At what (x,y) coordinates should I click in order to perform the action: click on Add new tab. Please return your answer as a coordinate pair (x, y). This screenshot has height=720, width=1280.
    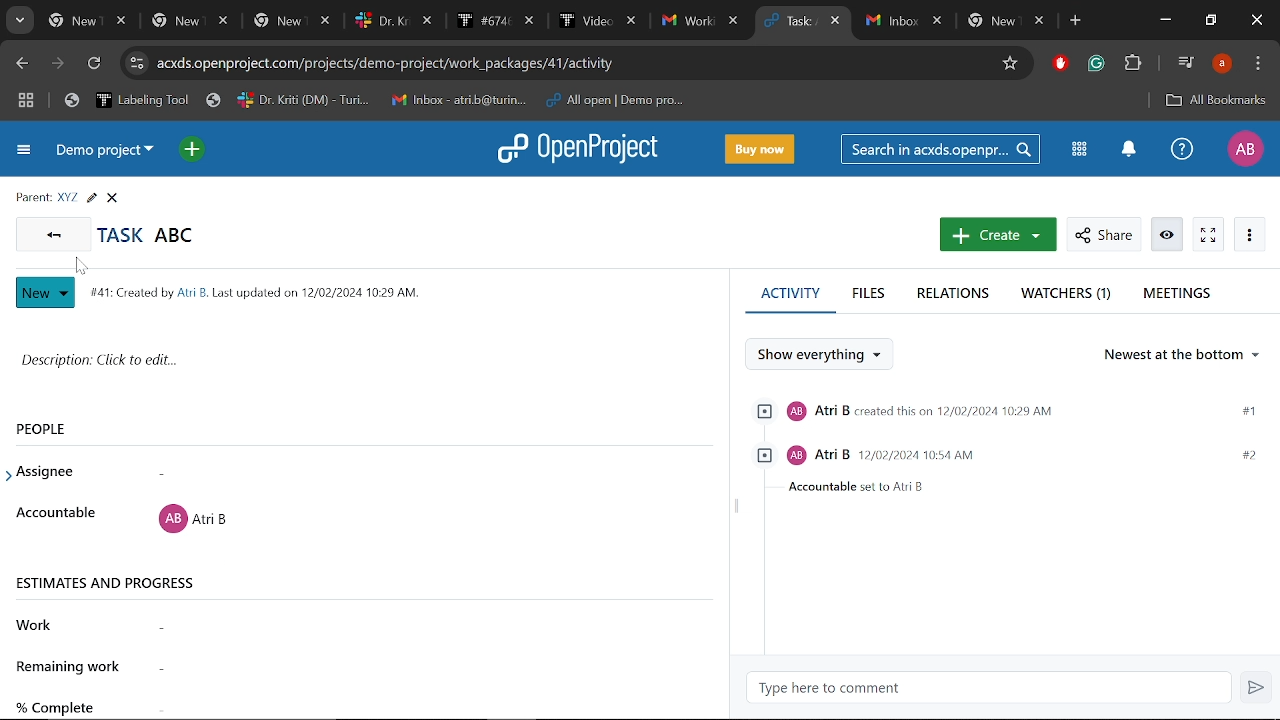
    Looking at the image, I should click on (1074, 22).